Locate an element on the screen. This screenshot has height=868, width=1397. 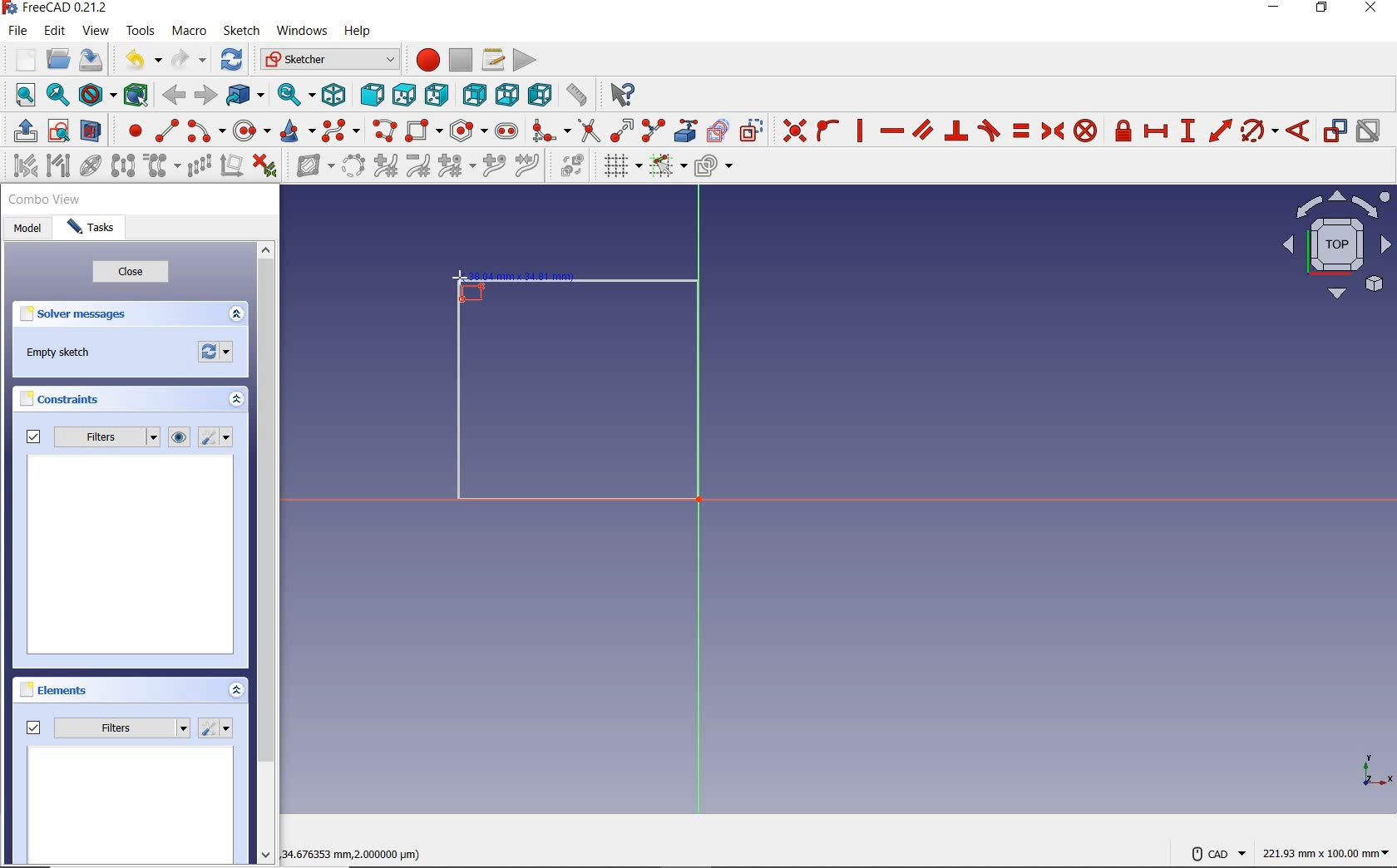
left is located at coordinates (540, 96).